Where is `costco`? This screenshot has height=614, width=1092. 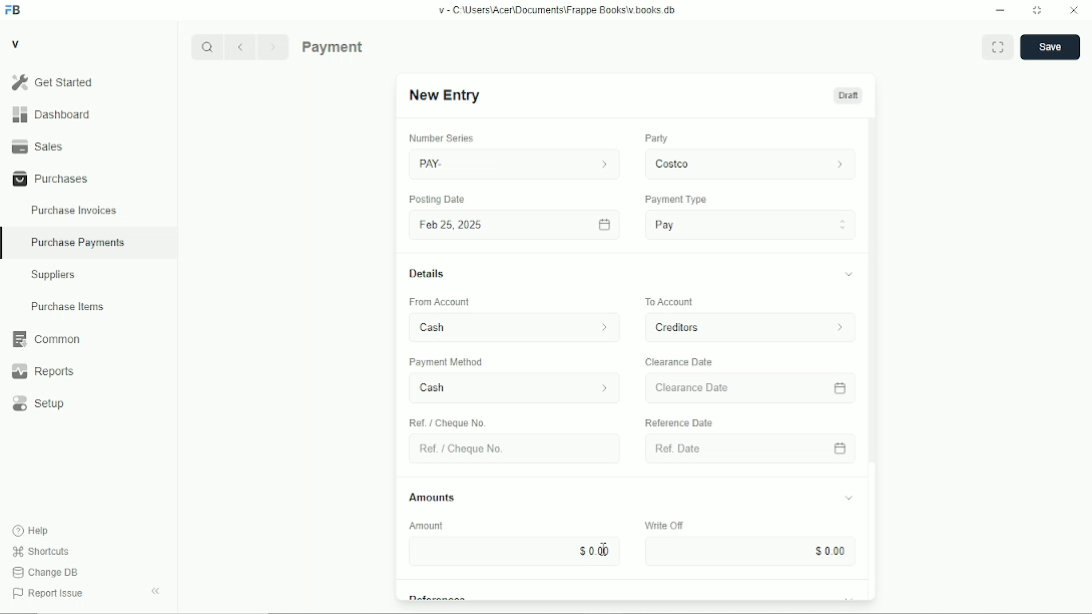 costco is located at coordinates (751, 162).